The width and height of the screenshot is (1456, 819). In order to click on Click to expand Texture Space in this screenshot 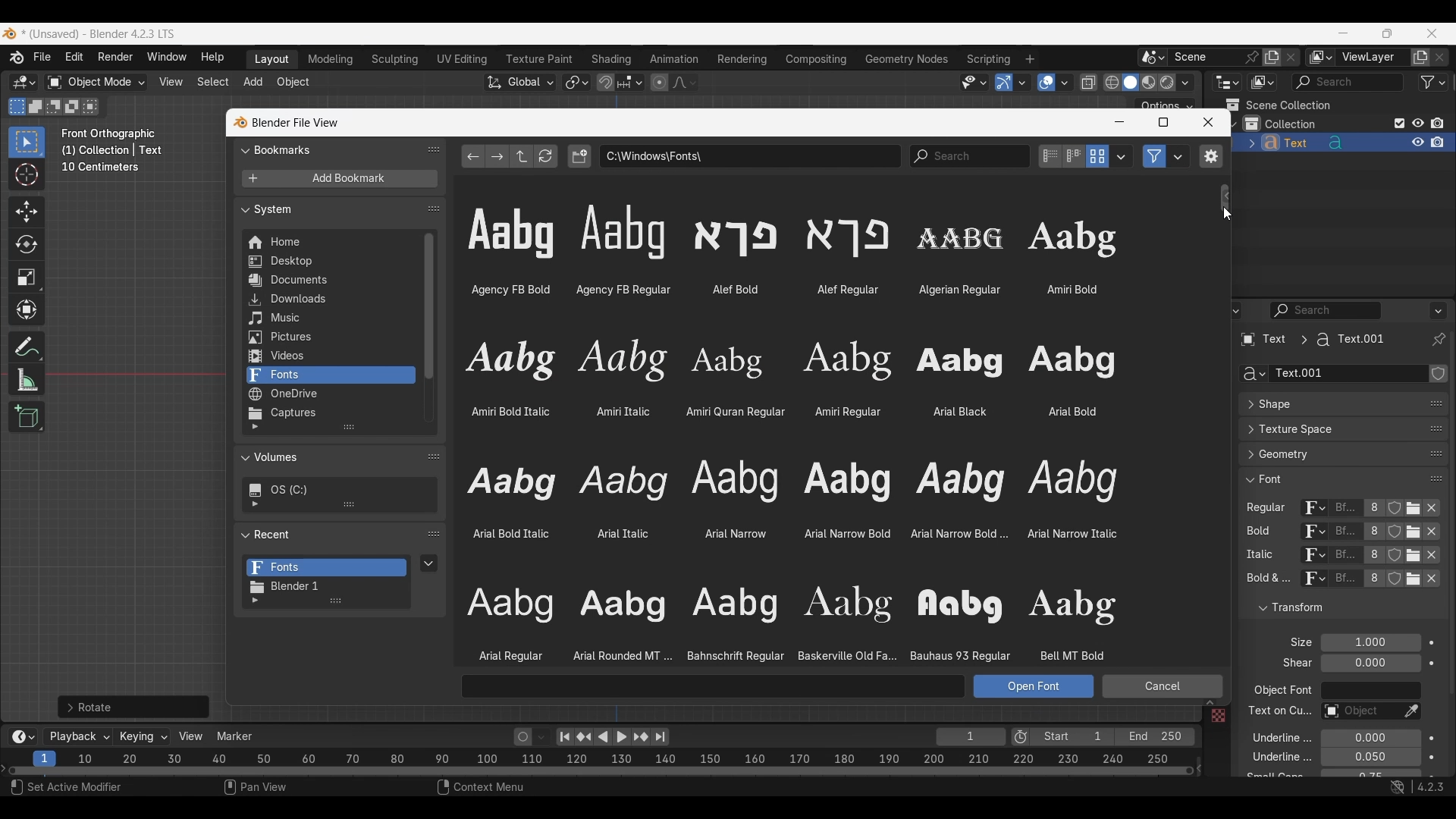, I will do `click(1328, 429)`.